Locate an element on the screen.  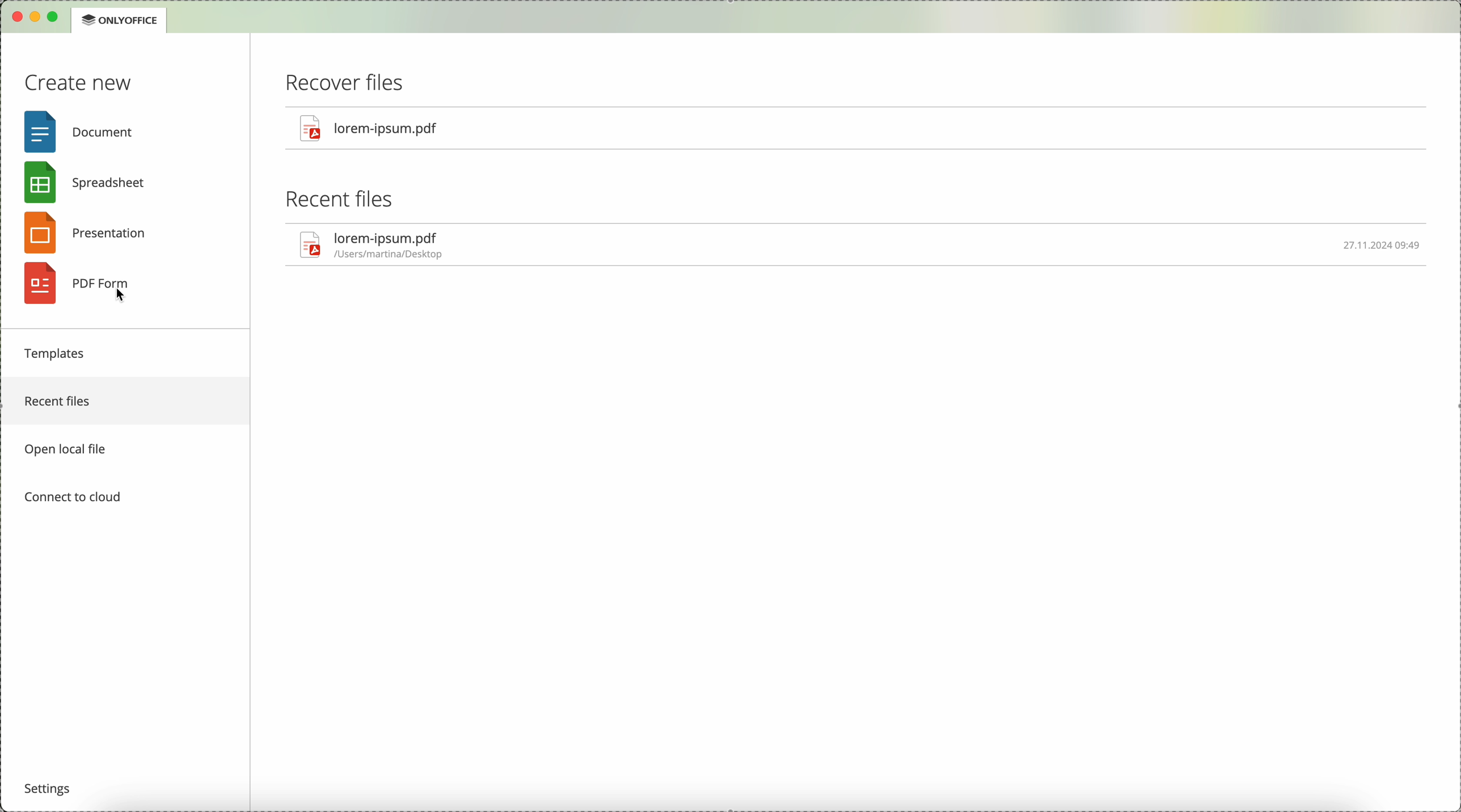
connect to cloud is located at coordinates (73, 498).